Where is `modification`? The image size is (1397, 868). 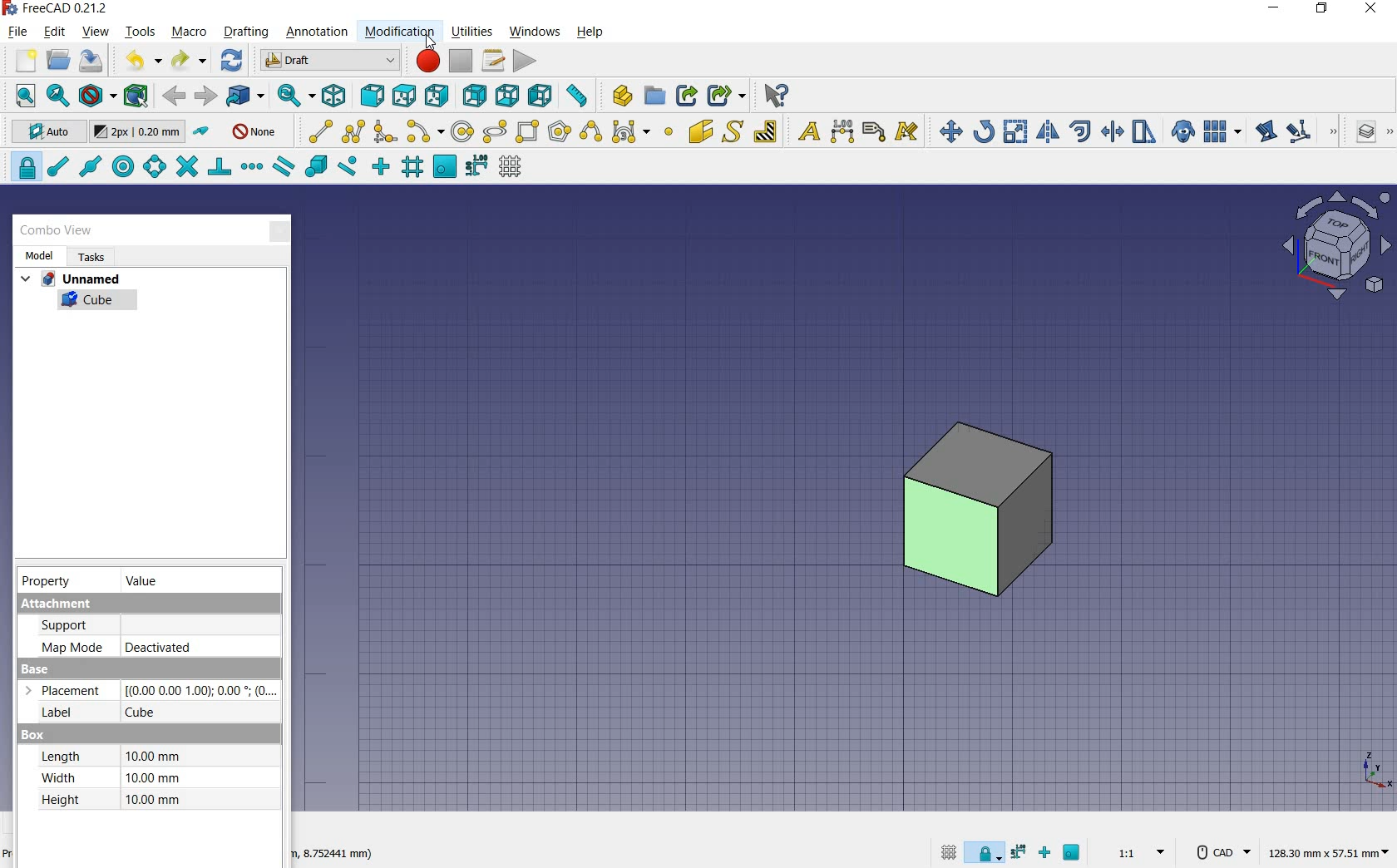 modification is located at coordinates (400, 32).